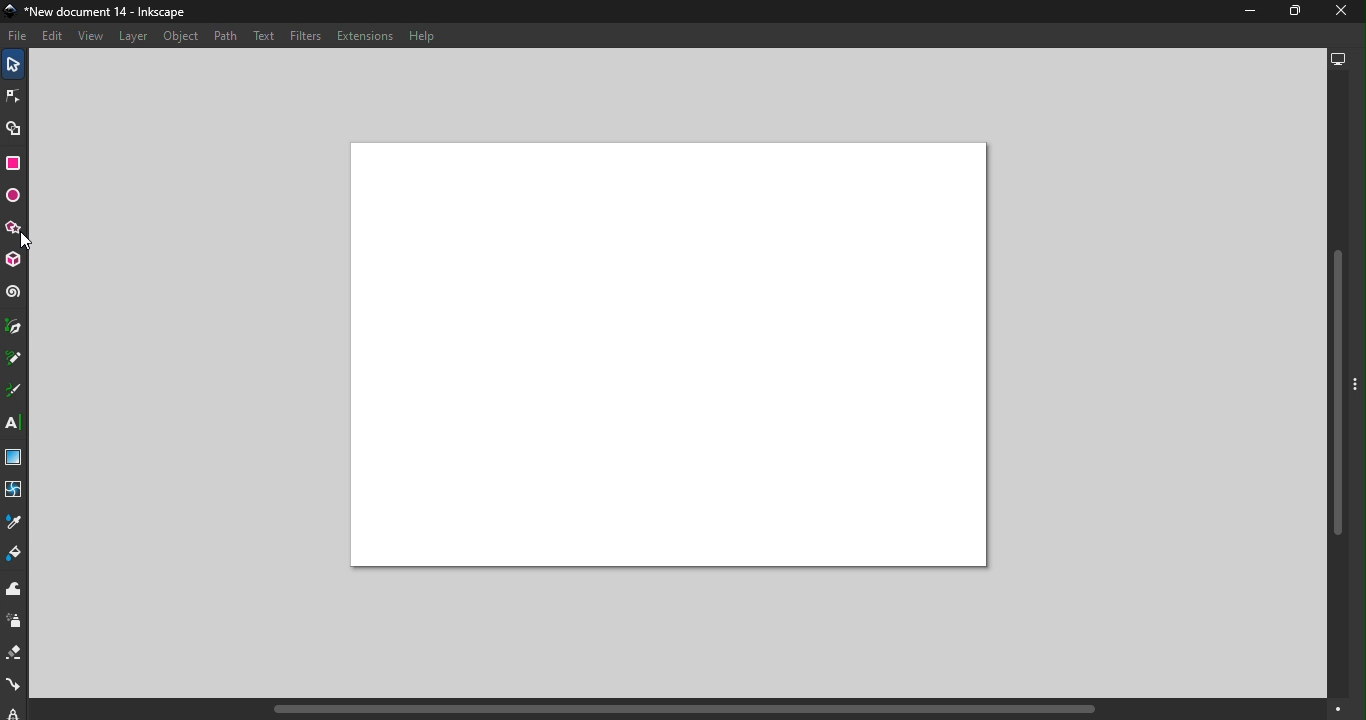 The width and height of the screenshot is (1366, 720). I want to click on Toggle command panel, so click(1358, 398).